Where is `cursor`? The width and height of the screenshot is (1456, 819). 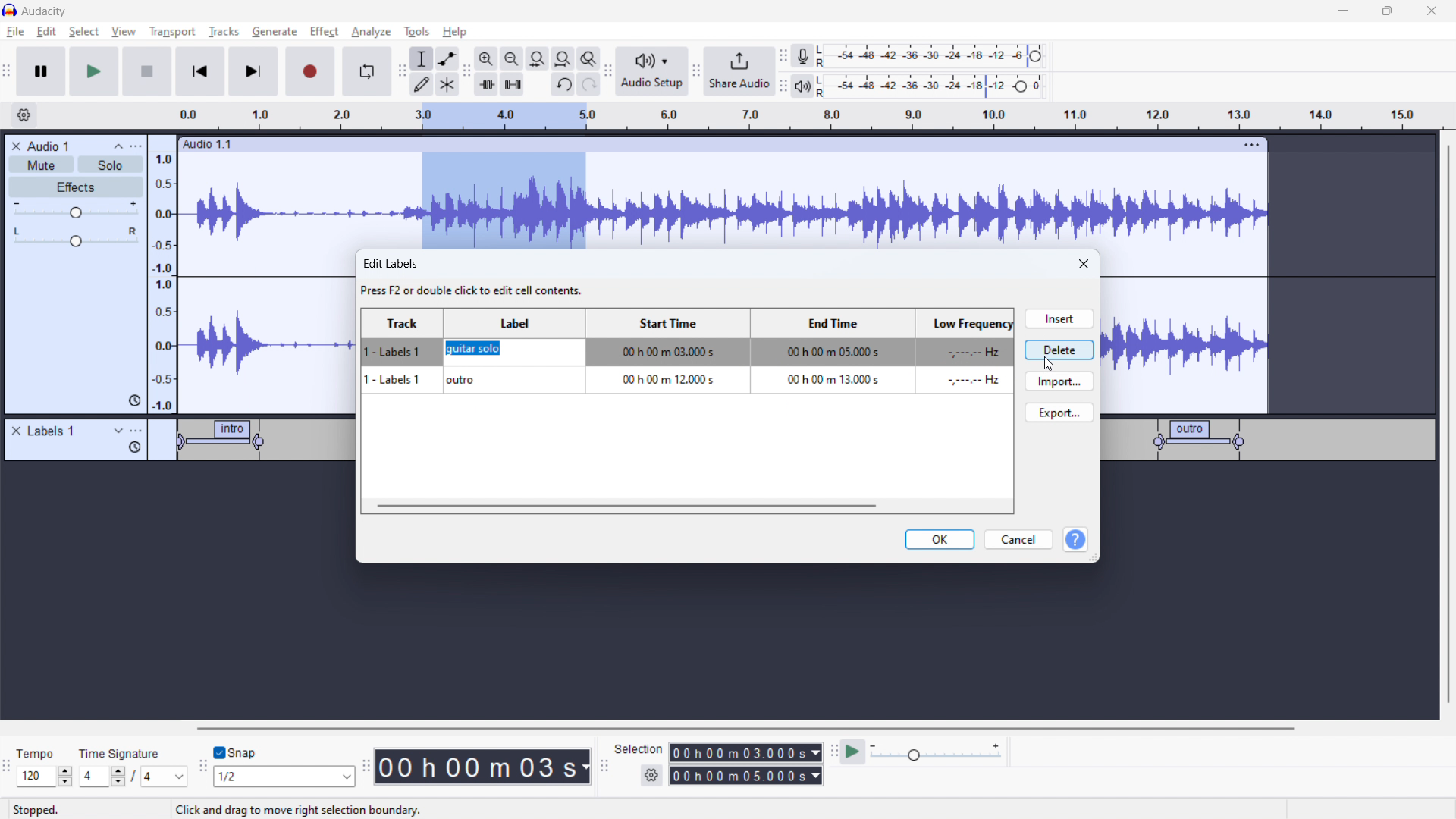 cursor is located at coordinates (1050, 366).